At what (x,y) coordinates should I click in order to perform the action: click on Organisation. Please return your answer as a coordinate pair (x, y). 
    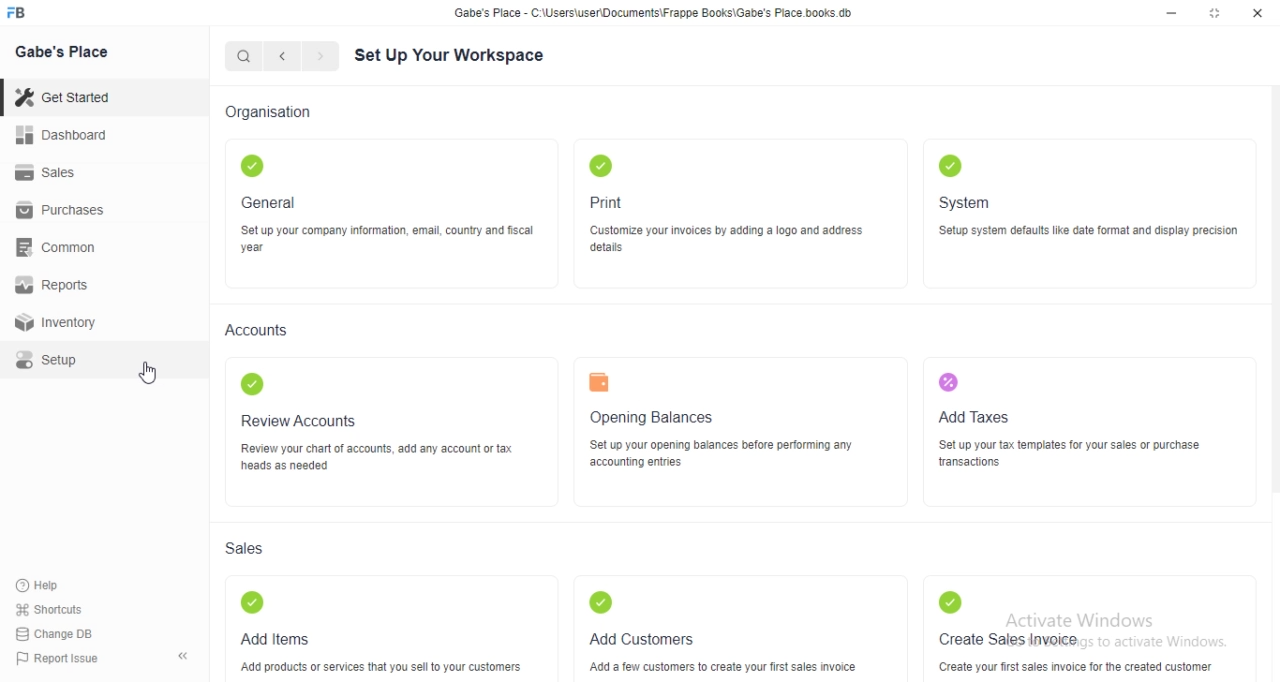
    Looking at the image, I should click on (278, 113).